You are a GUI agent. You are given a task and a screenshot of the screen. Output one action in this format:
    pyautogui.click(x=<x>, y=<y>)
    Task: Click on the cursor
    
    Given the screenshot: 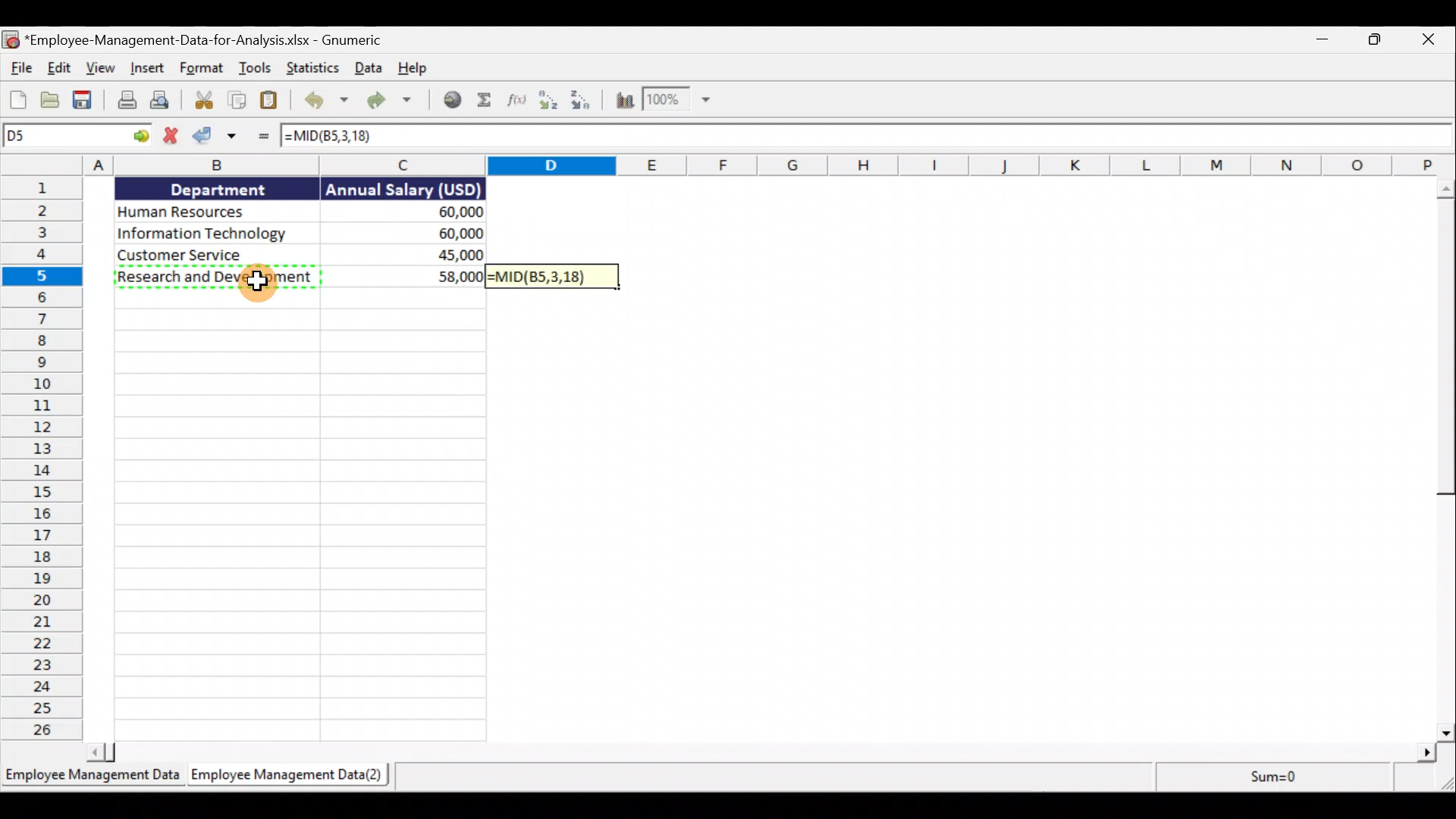 What is the action you would take?
    pyautogui.click(x=260, y=278)
    